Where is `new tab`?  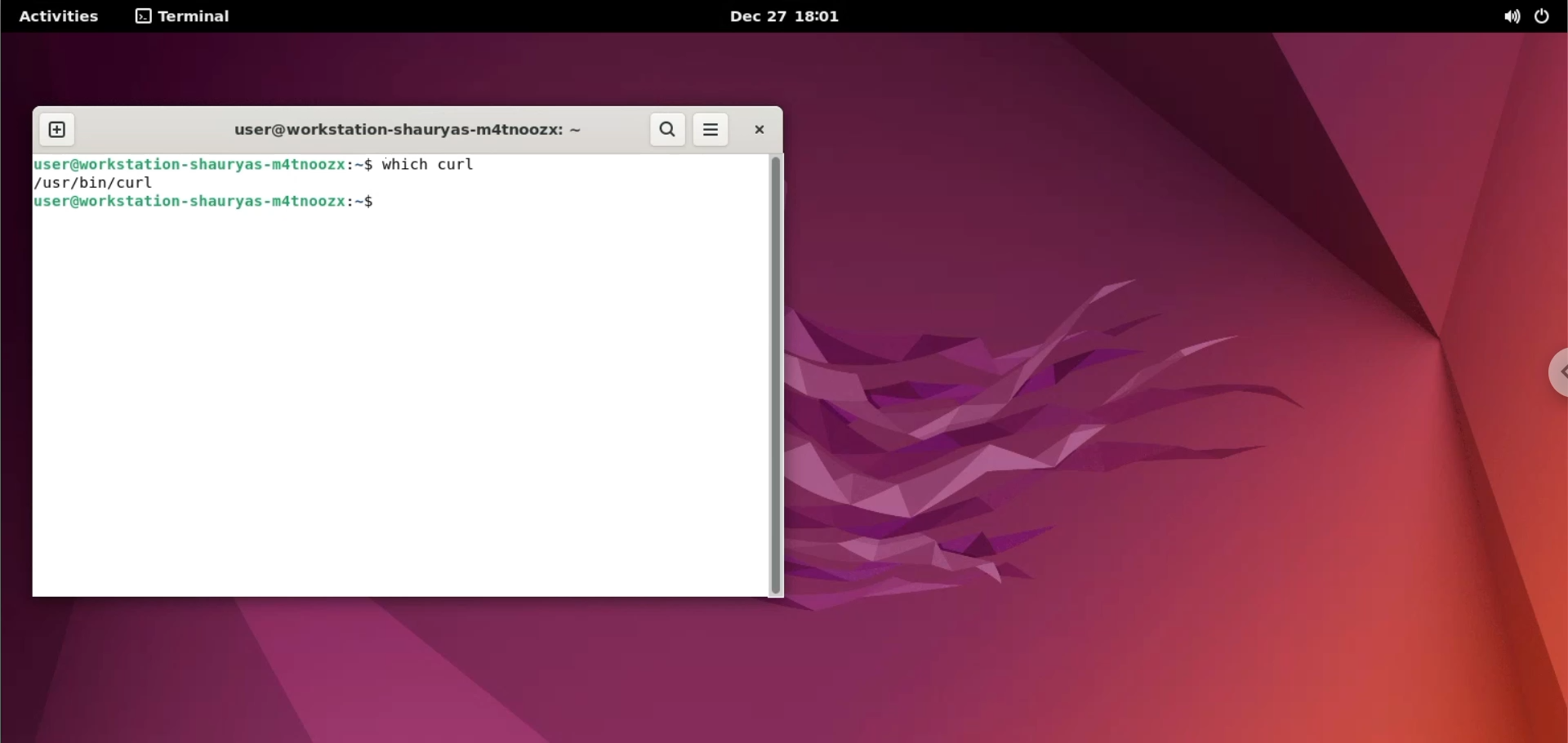
new tab is located at coordinates (57, 130).